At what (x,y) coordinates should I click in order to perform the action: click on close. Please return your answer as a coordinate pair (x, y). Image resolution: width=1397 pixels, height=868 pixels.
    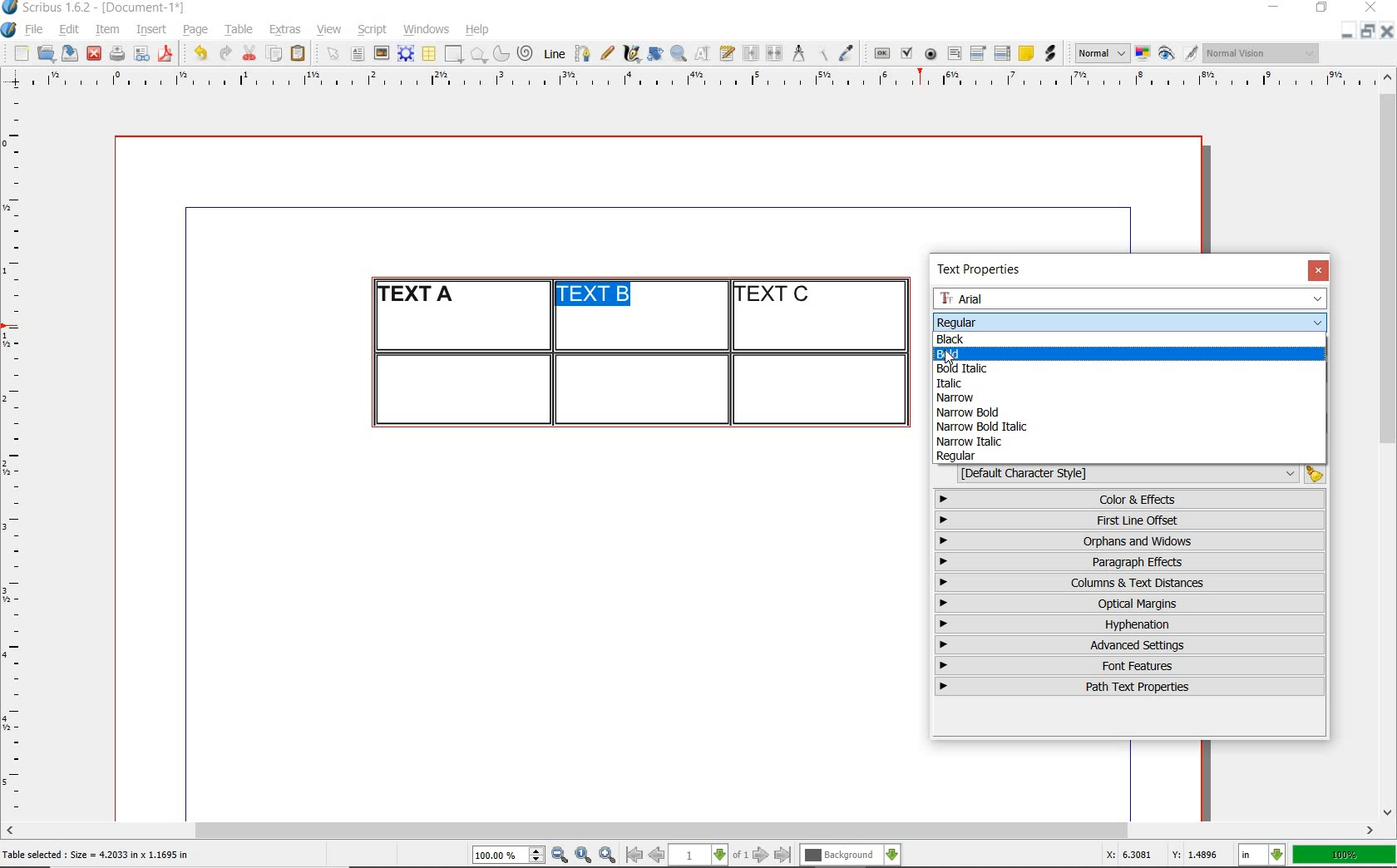
    Looking at the image, I should click on (1387, 31).